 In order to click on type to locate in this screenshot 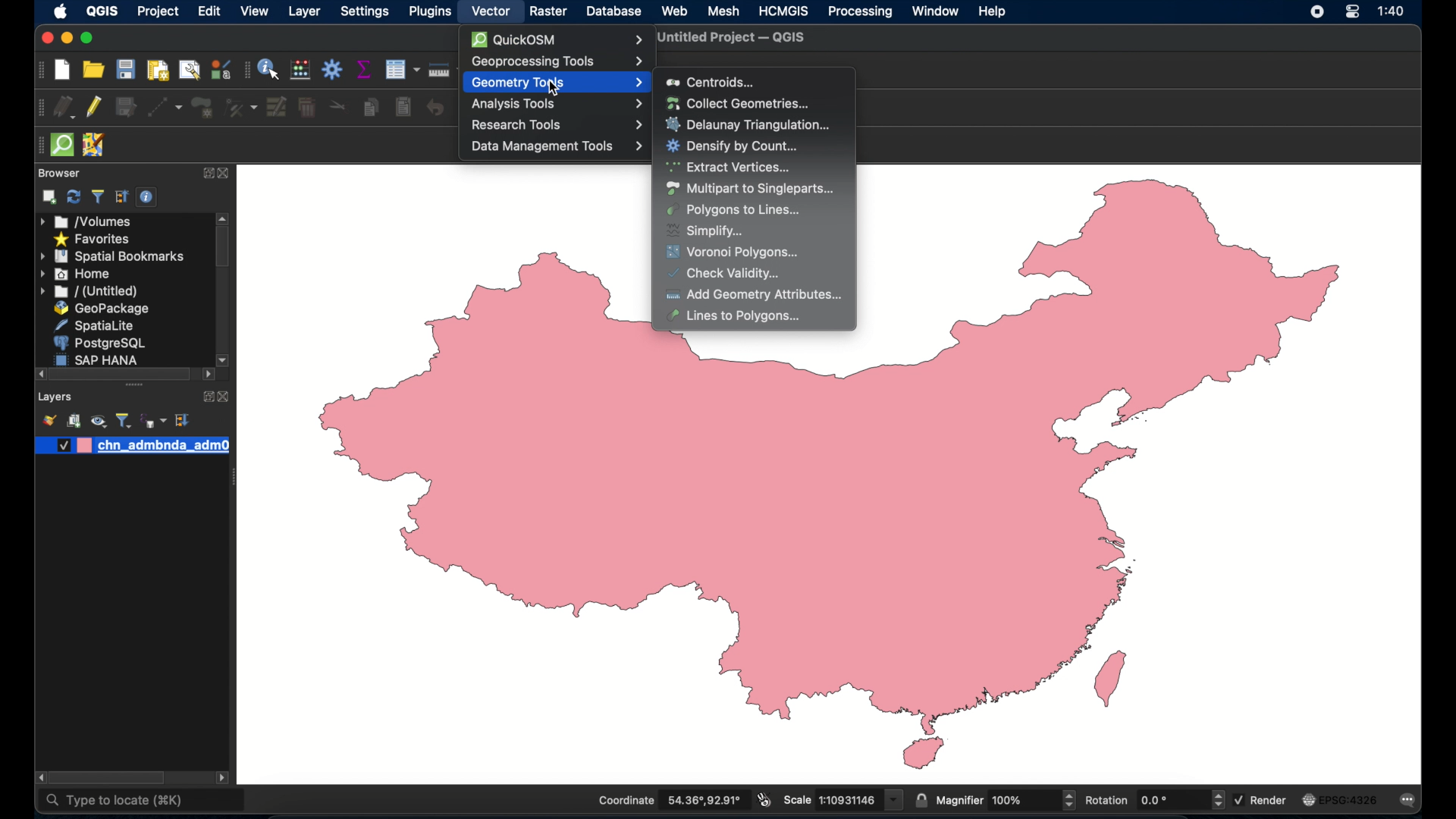, I will do `click(114, 803)`.